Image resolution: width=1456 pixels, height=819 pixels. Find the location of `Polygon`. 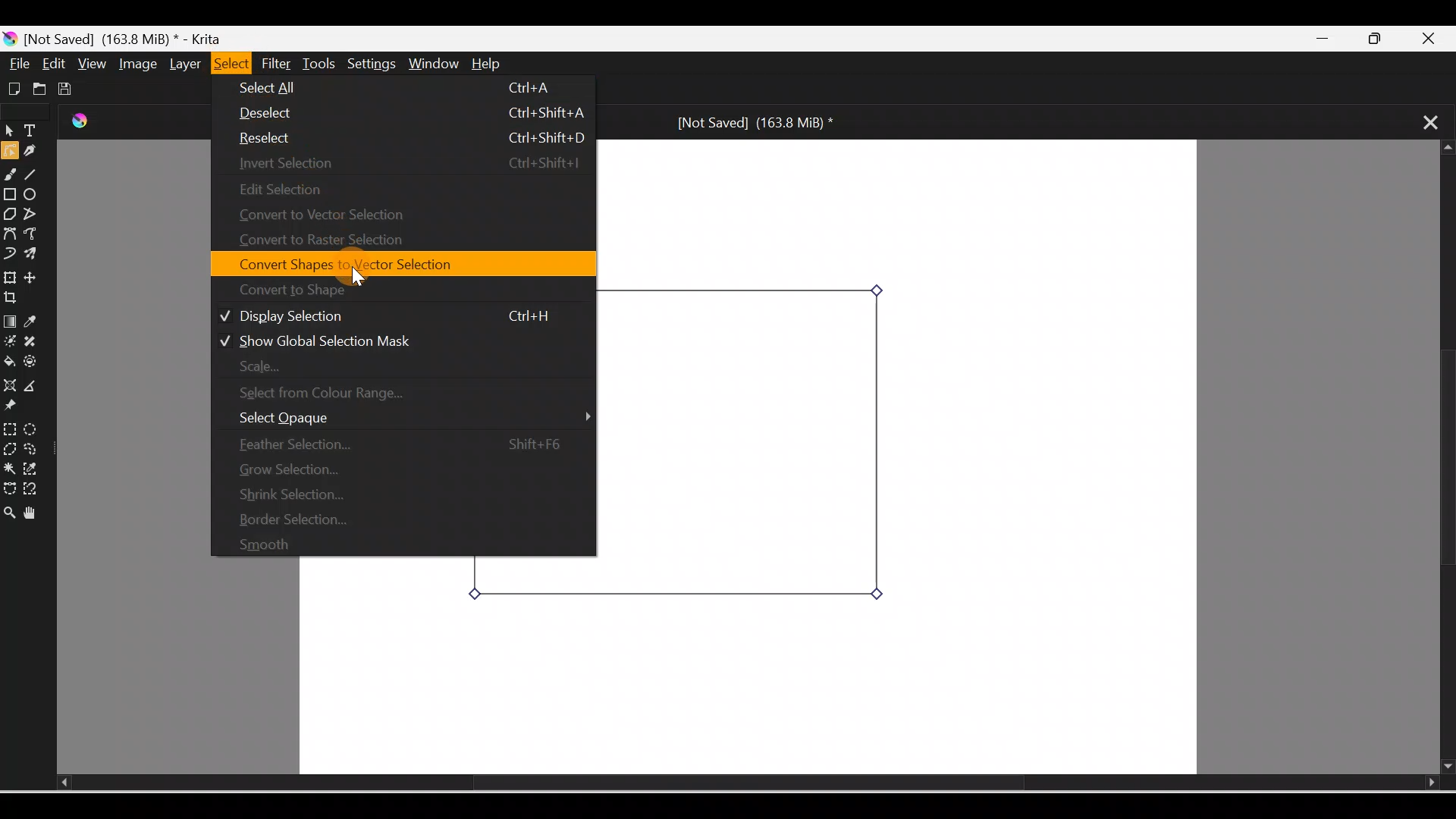

Polygon is located at coordinates (9, 214).